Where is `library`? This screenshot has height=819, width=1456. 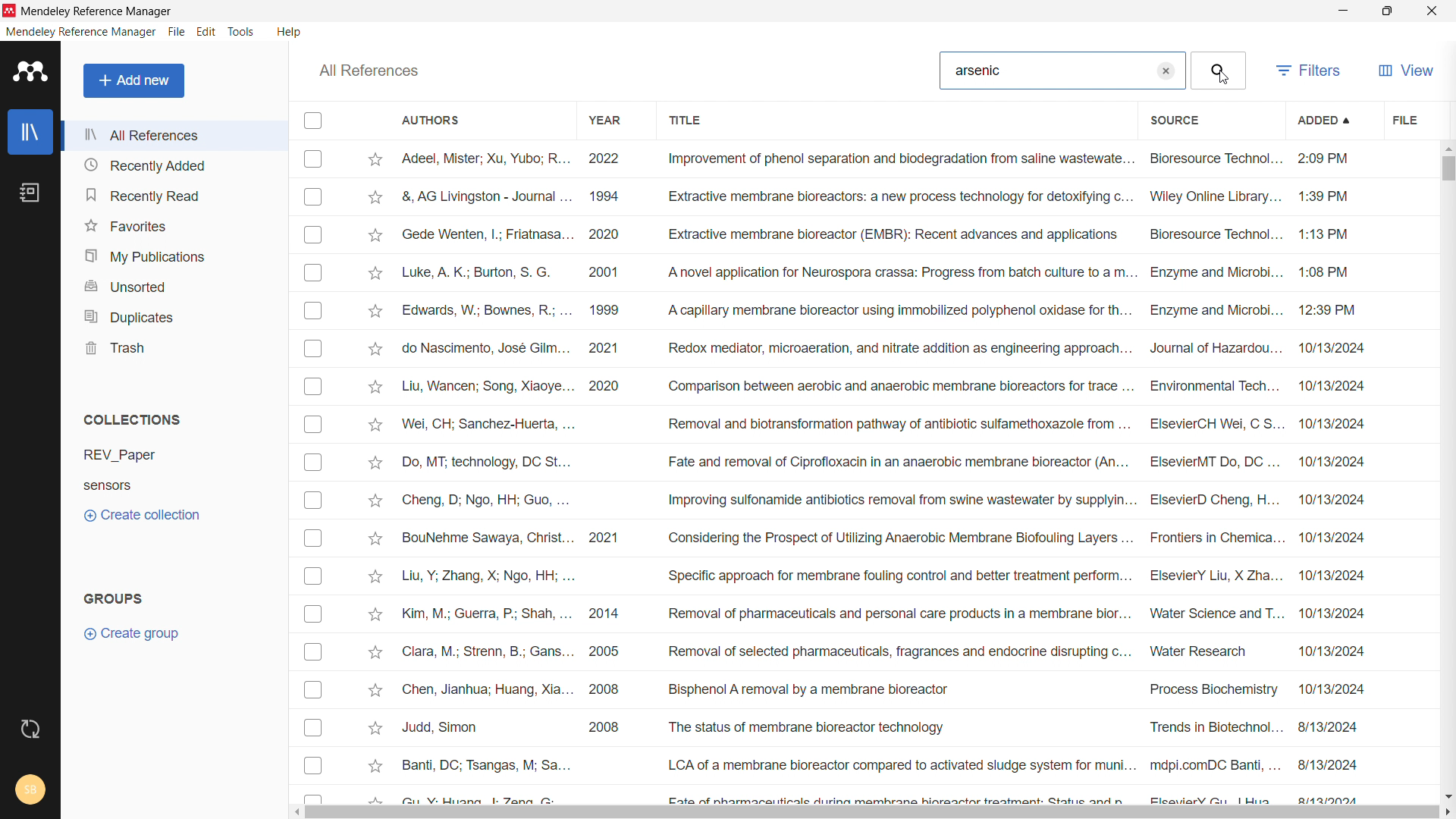 library is located at coordinates (30, 132).